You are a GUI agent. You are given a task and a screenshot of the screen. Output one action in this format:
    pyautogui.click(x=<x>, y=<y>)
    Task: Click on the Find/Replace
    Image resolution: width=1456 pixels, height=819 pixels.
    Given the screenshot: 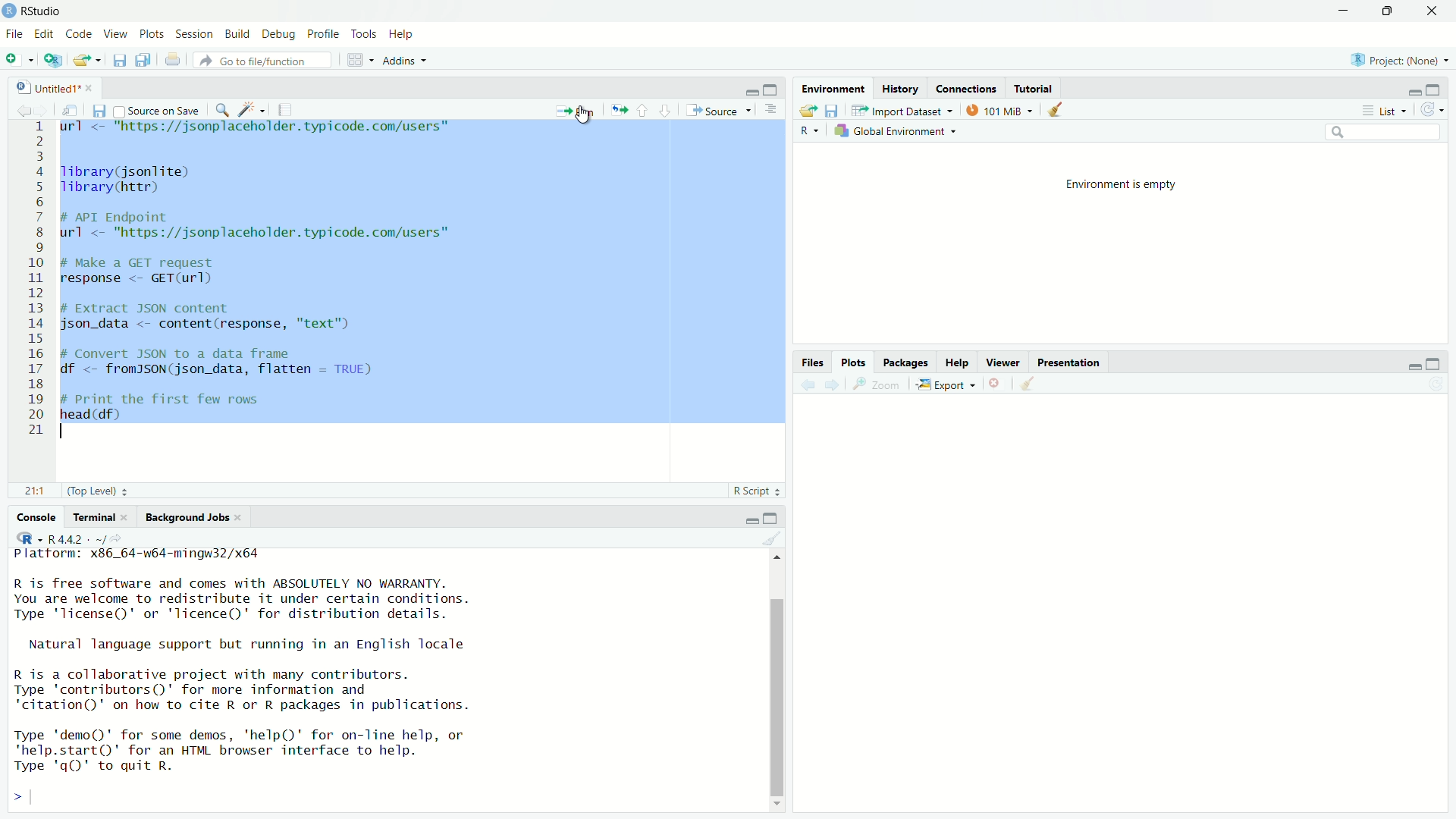 What is the action you would take?
    pyautogui.click(x=223, y=110)
    